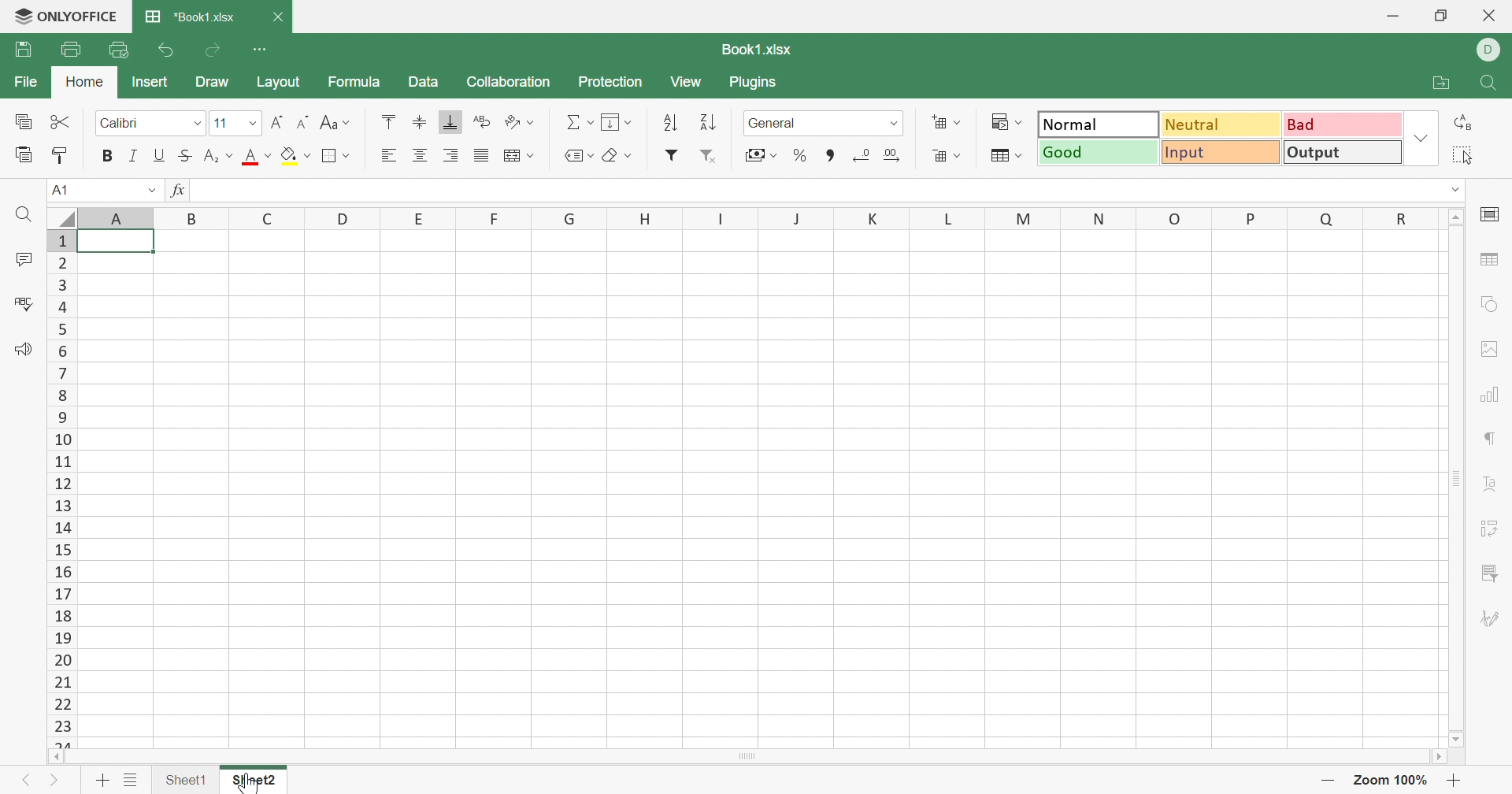 The width and height of the screenshot is (1512, 794). Describe the element at coordinates (120, 121) in the screenshot. I see `Calibri` at that location.